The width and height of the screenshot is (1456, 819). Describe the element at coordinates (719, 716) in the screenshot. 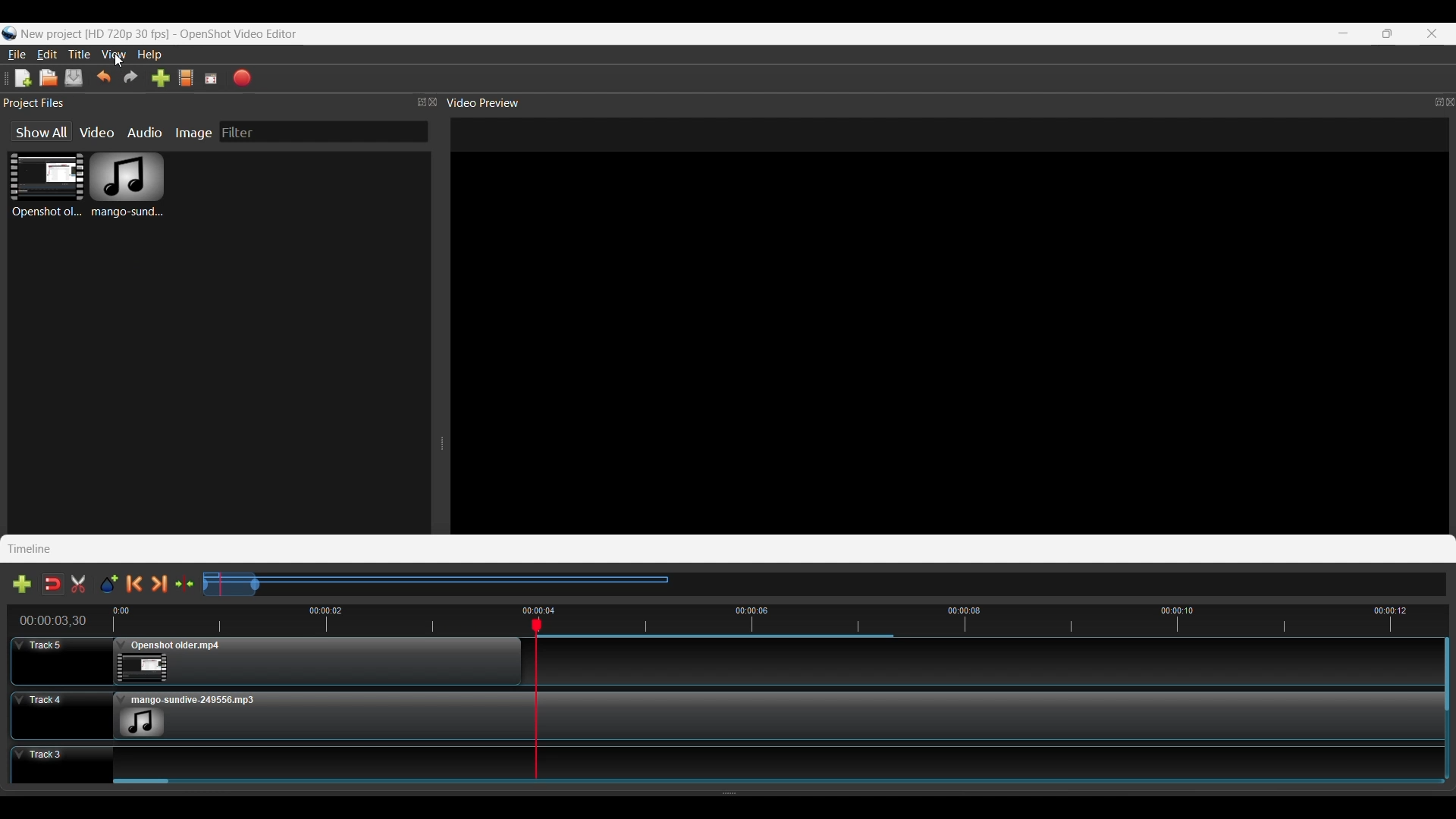

I see `Track 4` at that location.